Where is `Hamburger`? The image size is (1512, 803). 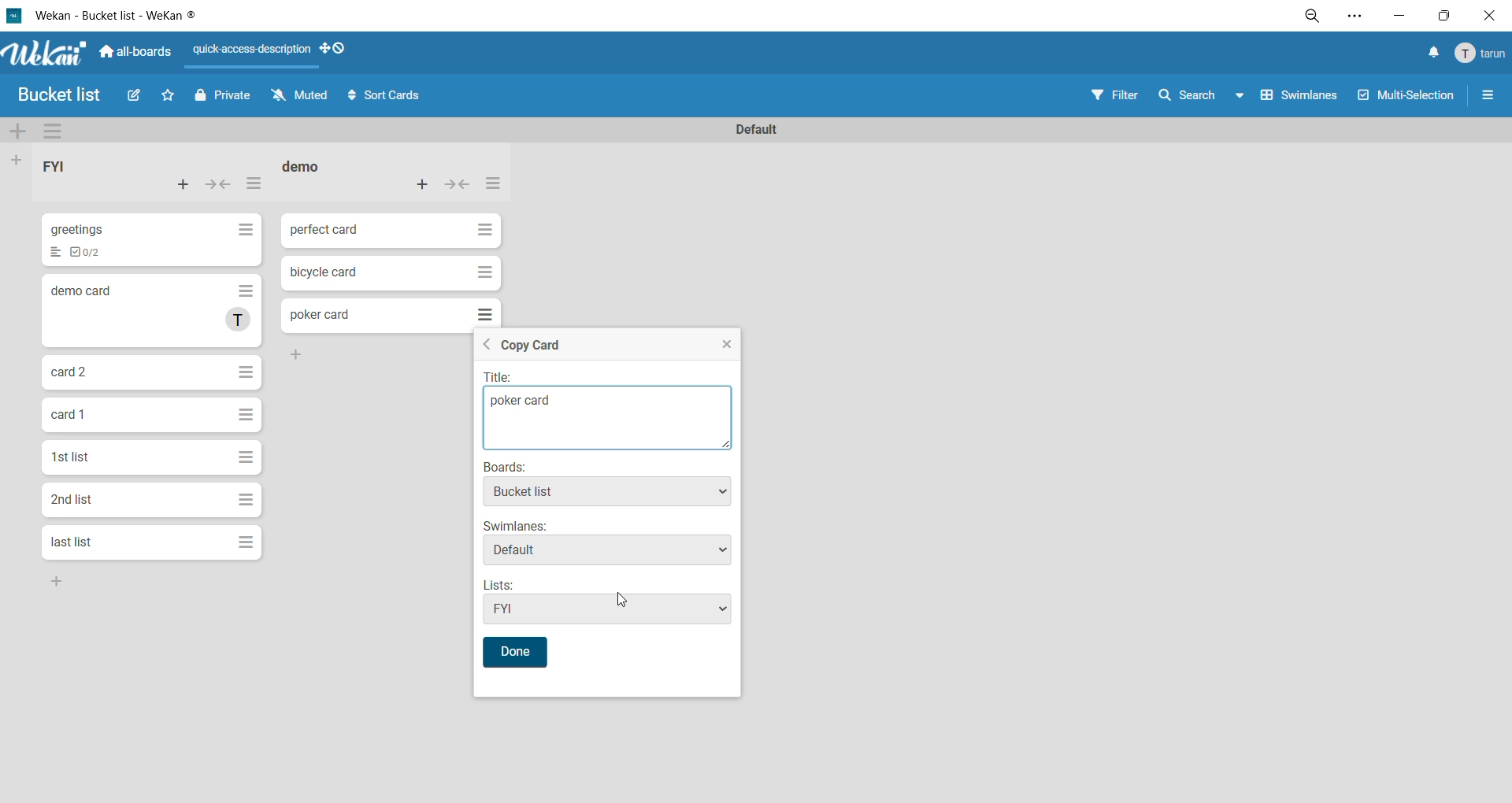 Hamburger is located at coordinates (486, 274).